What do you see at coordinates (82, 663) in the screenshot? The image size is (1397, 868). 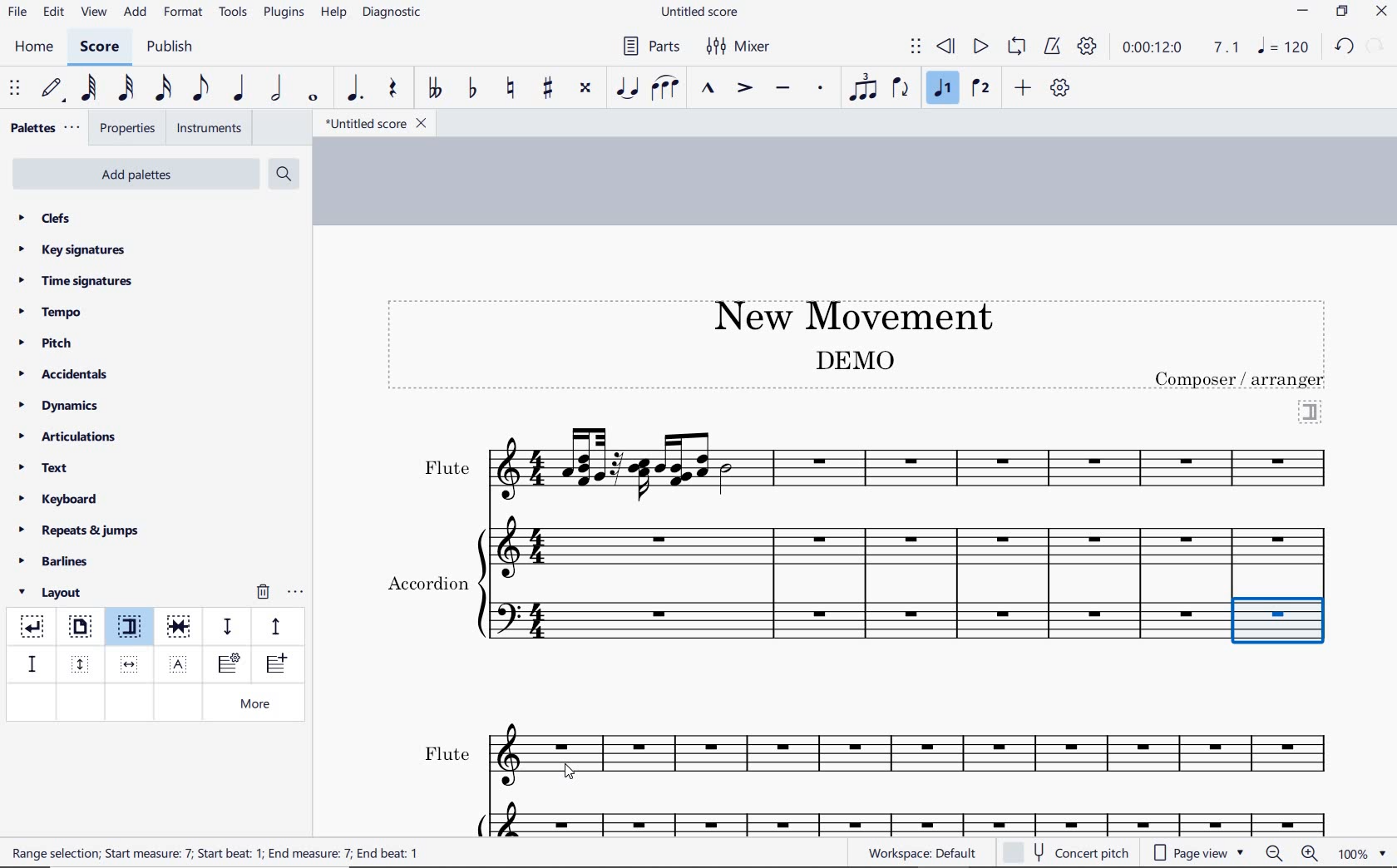 I see `insert vertical frame` at bounding box center [82, 663].